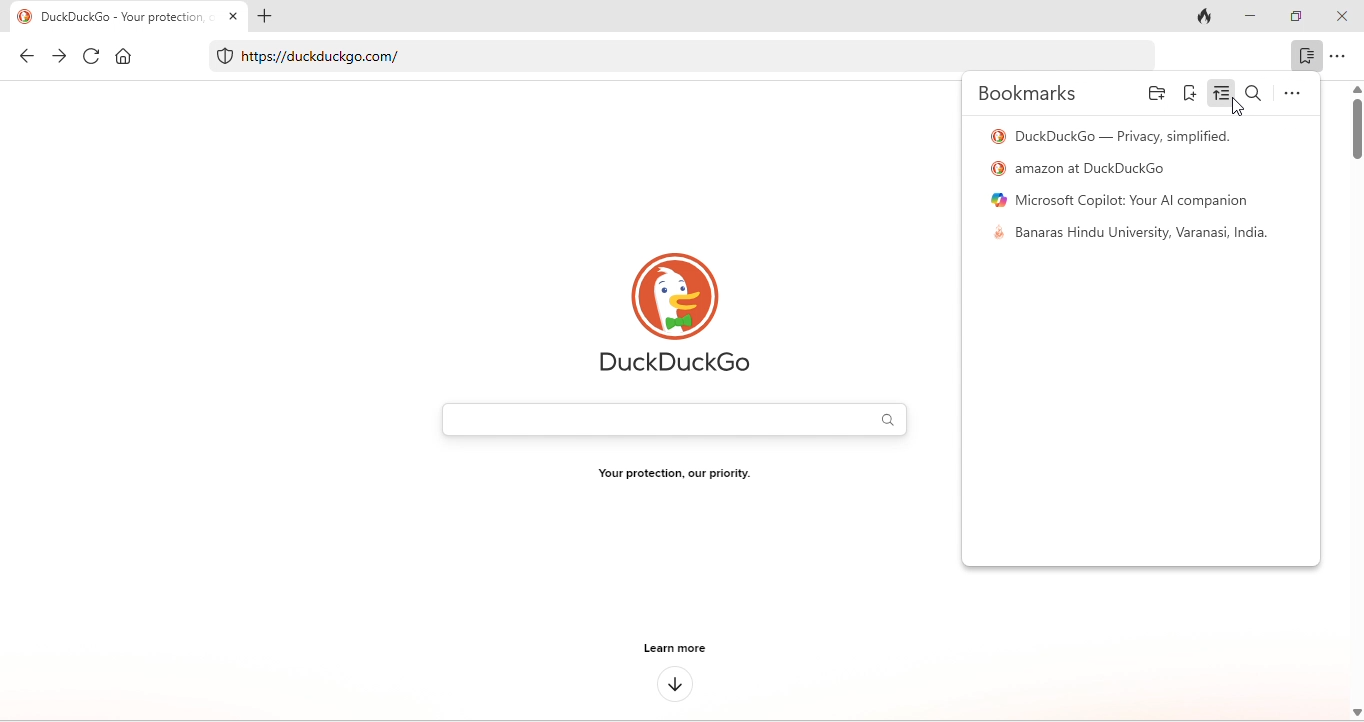  I want to click on close, so click(1345, 18).